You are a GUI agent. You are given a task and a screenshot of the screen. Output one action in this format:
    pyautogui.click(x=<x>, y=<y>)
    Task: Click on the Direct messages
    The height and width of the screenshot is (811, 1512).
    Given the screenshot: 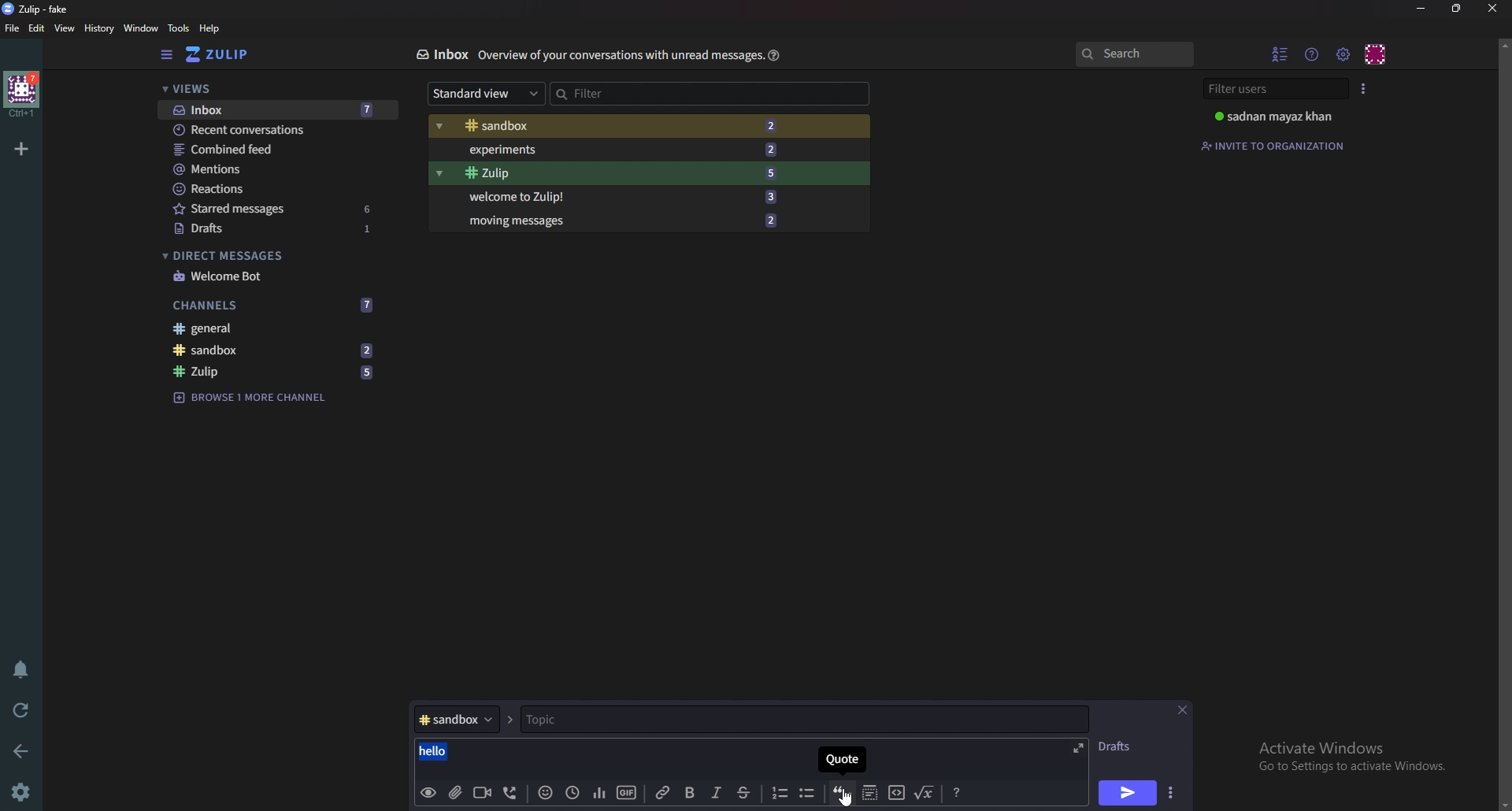 What is the action you would take?
    pyautogui.click(x=268, y=256)
    